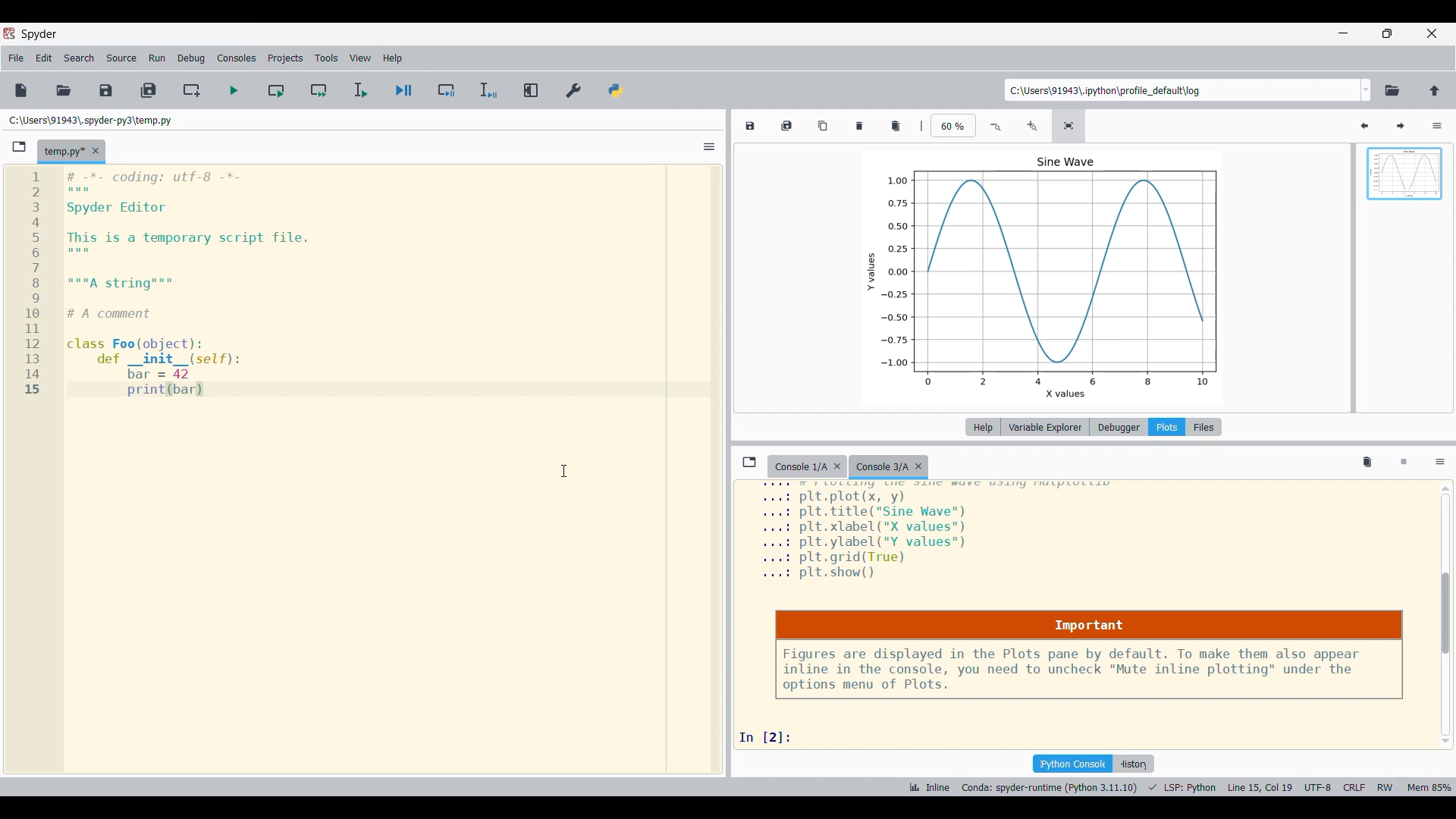 The width and height of the screenshot is (1456, 819). What do you see at coordinates (891, 467) in the screenshot?
I see `Current tab highlighted` at bounding box center [891, 467].